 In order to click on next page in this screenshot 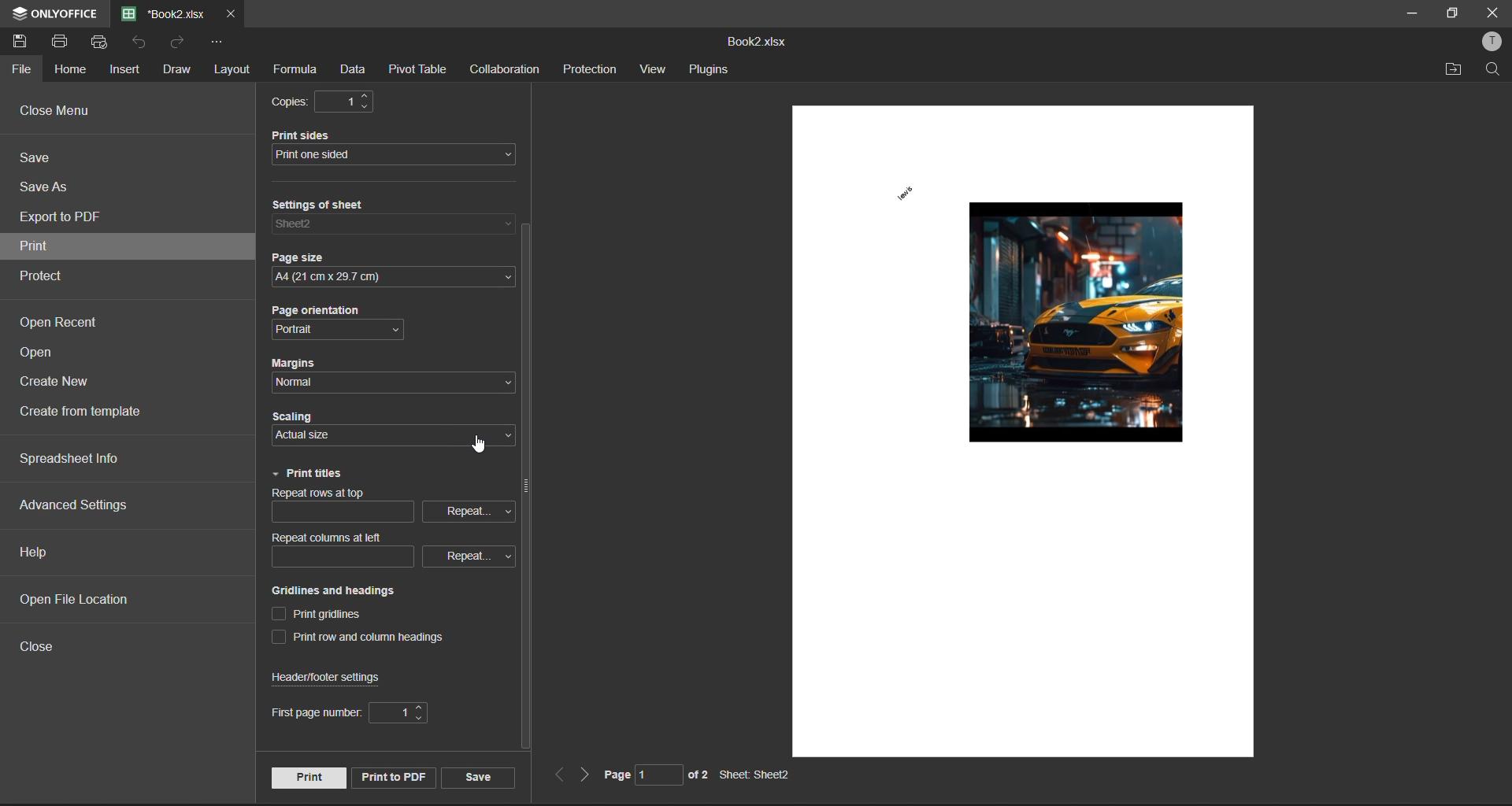, I will do `click(582, 775)`.